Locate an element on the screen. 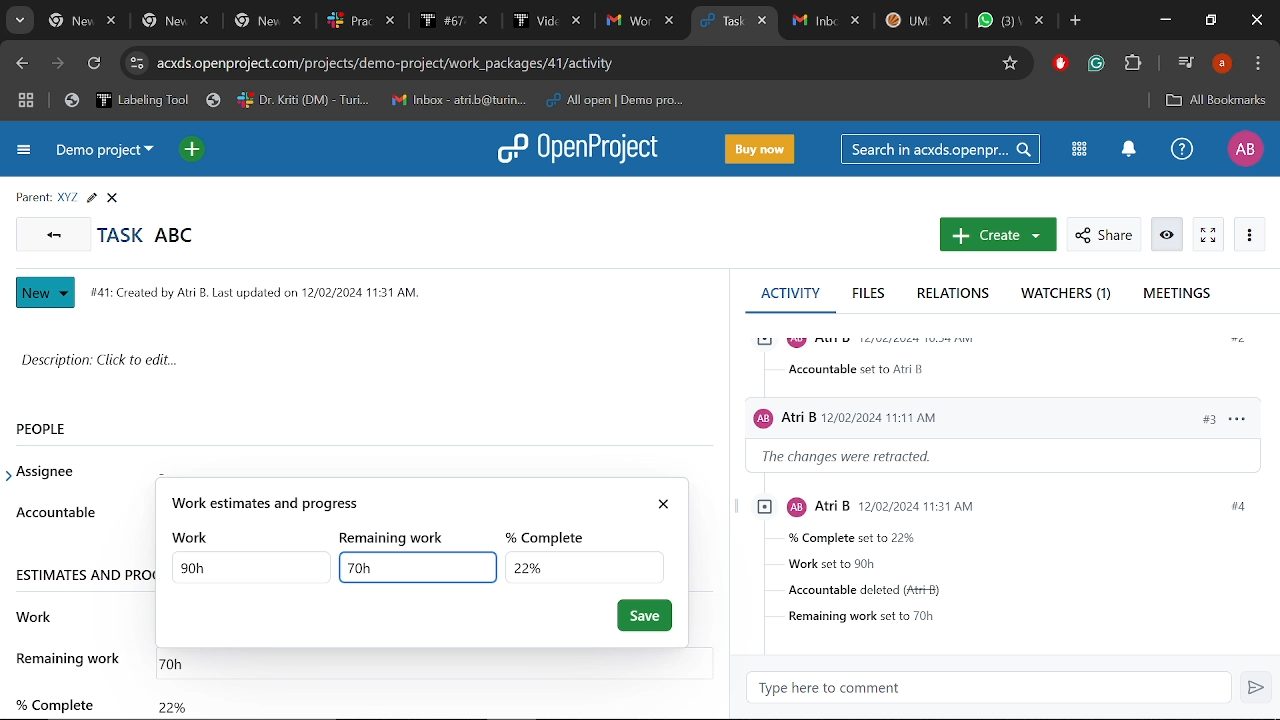 The image size is (1280, 720). Files is located at coordinates (870, 295).